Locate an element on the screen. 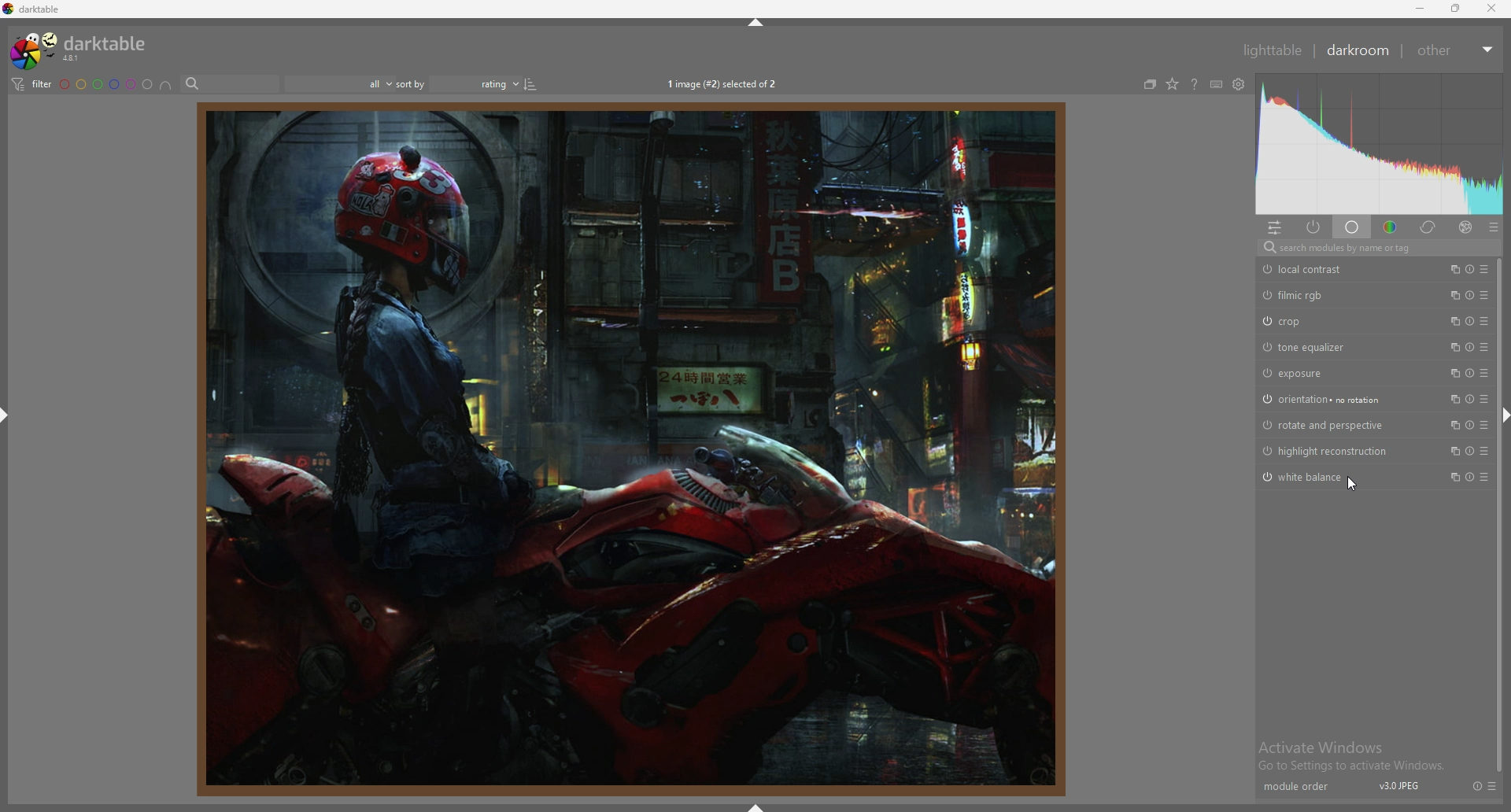  filmic rgb is located at coordinates (1313, 296).